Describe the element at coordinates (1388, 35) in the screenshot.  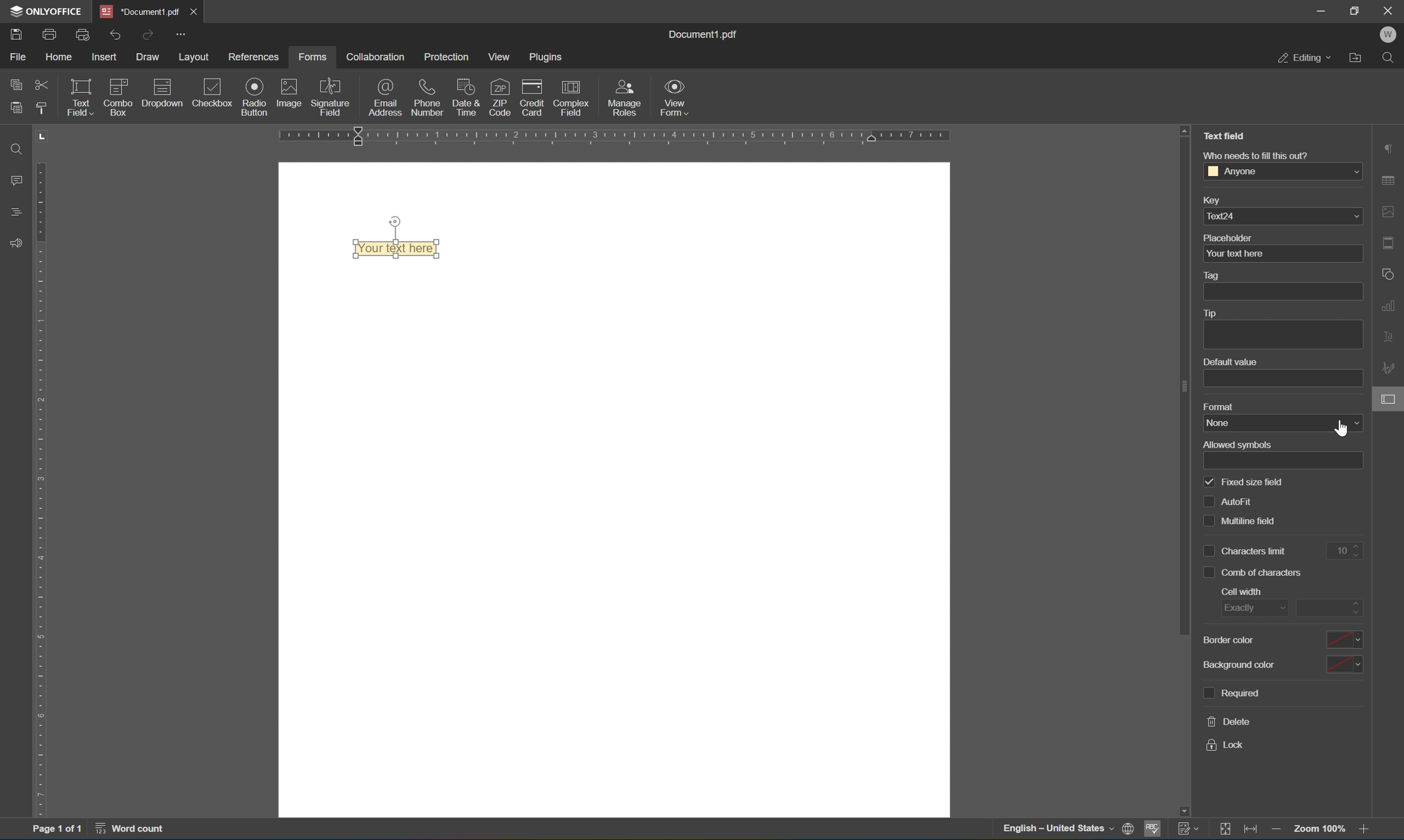
I see `welcome` at that location.